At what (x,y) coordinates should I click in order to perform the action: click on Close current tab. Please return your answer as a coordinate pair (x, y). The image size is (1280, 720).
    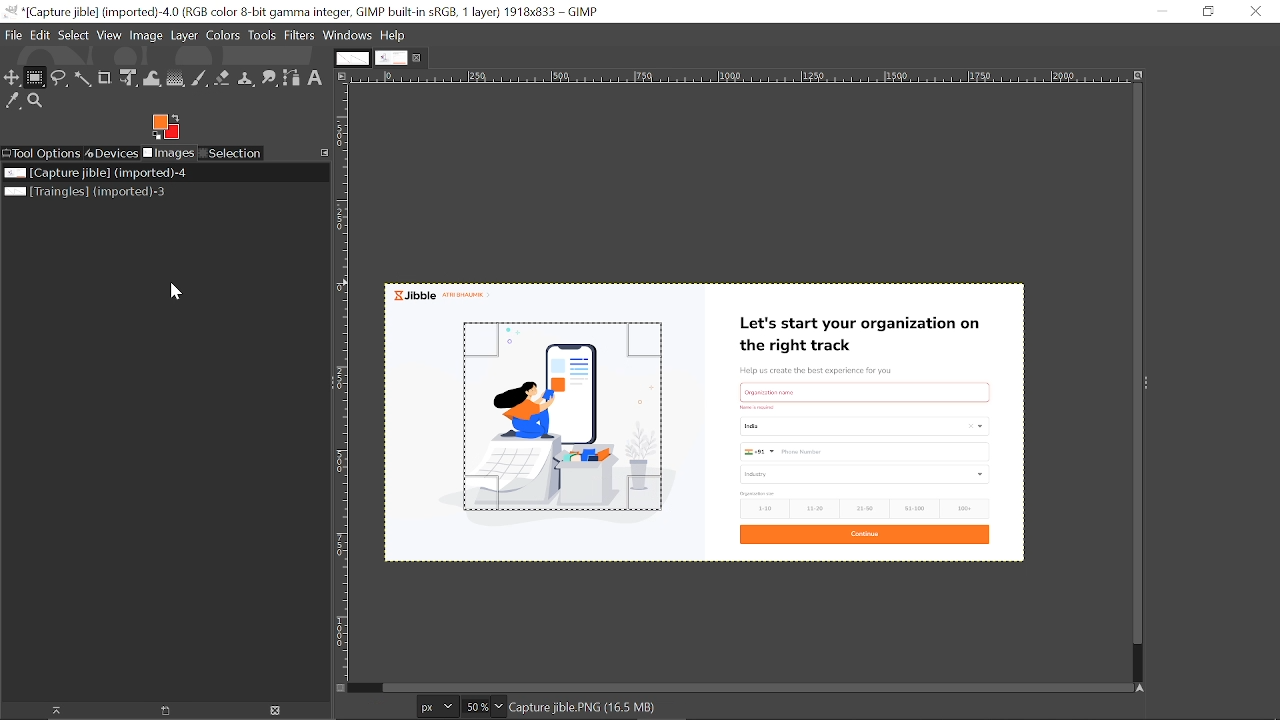
    Looking at the image, I should click on (418, 59).